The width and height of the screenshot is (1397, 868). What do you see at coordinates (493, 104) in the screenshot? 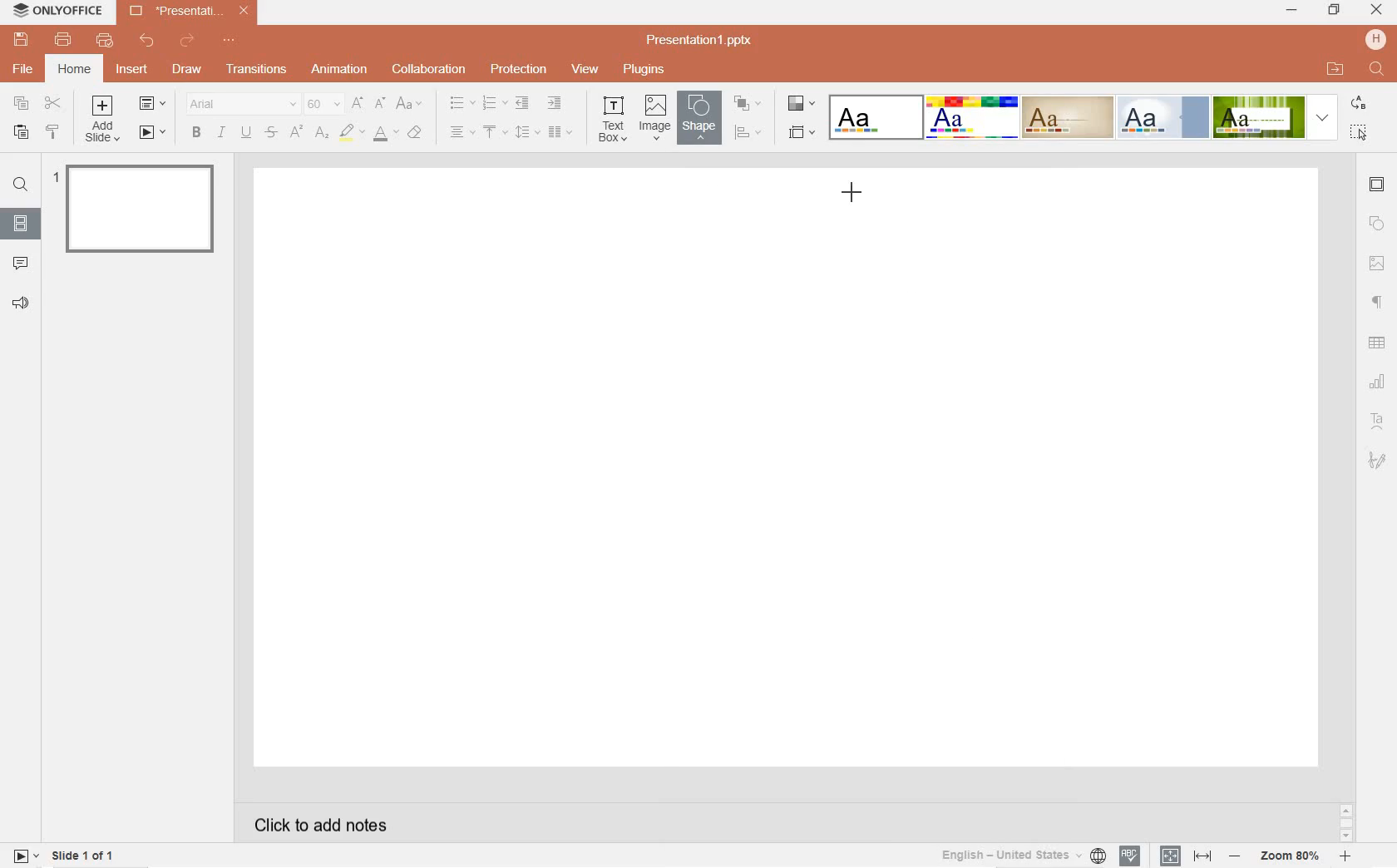
I see `numbering` at bounding box center [493, 104].